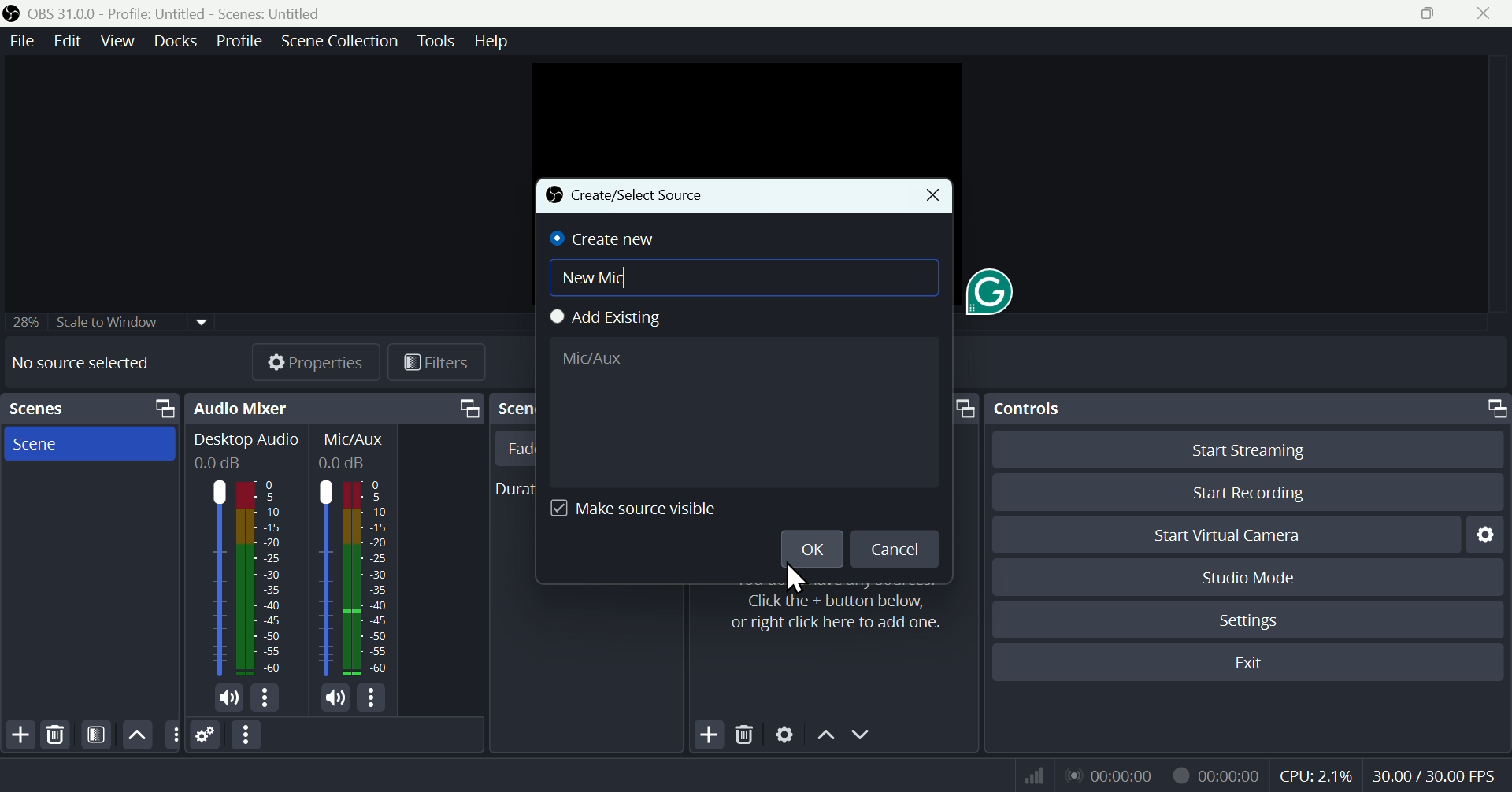  What do you see at coordinates (861, 736) in the screenshot?
I see `Down` at bounding box center [861, 736].